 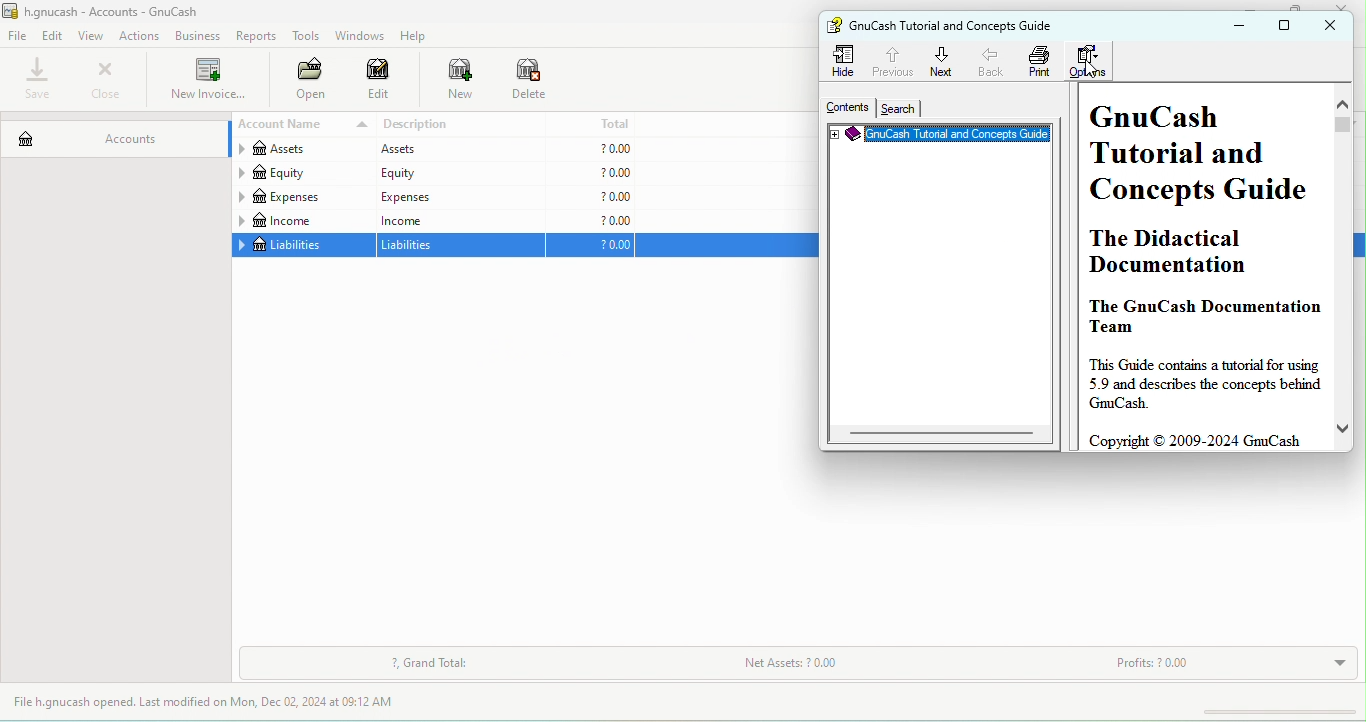 I want to click on move up, so click(x=1343, y=104).